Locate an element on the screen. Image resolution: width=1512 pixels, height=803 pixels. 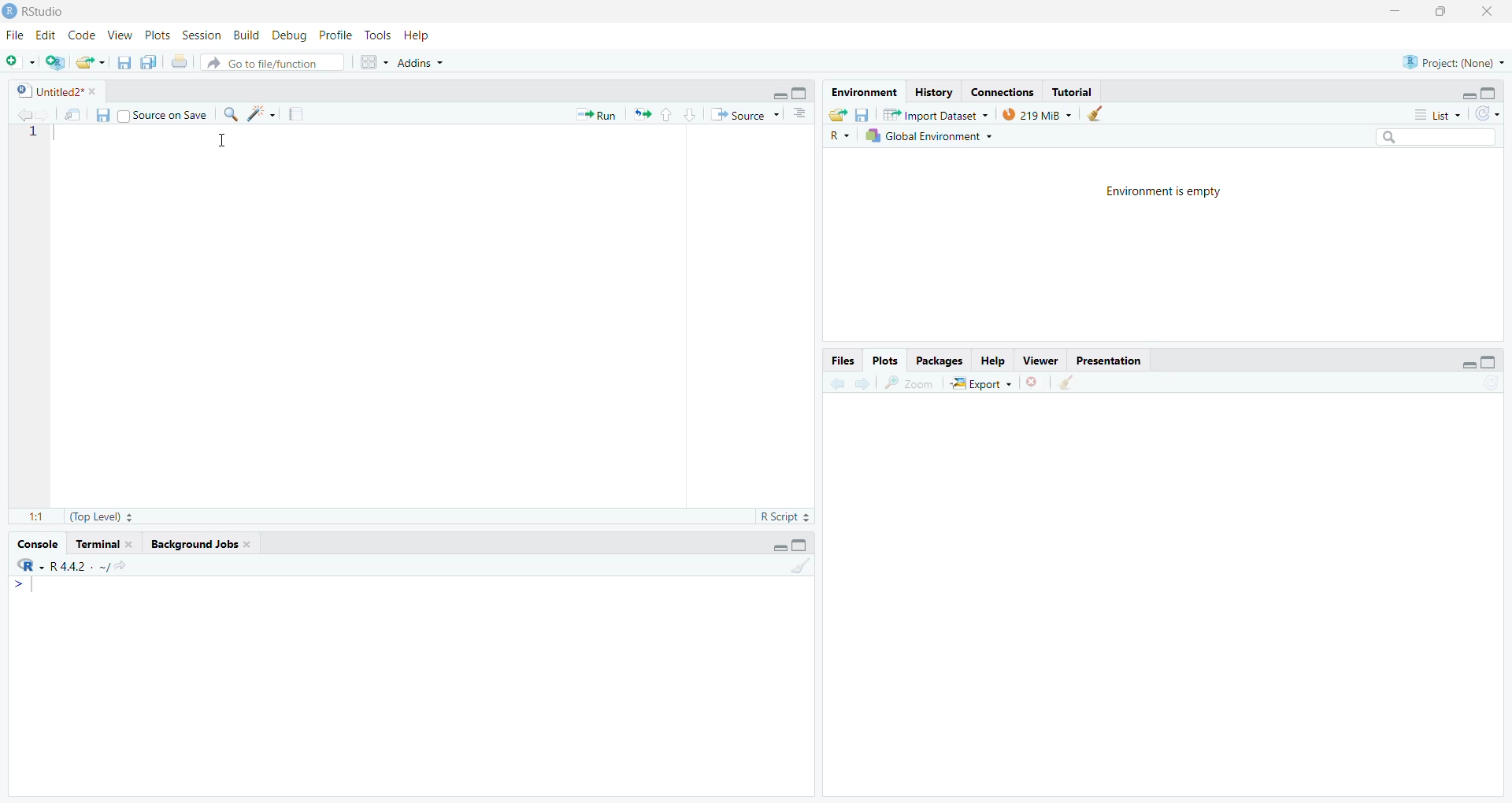
Refresh list is located at coordinates (1490, 383).